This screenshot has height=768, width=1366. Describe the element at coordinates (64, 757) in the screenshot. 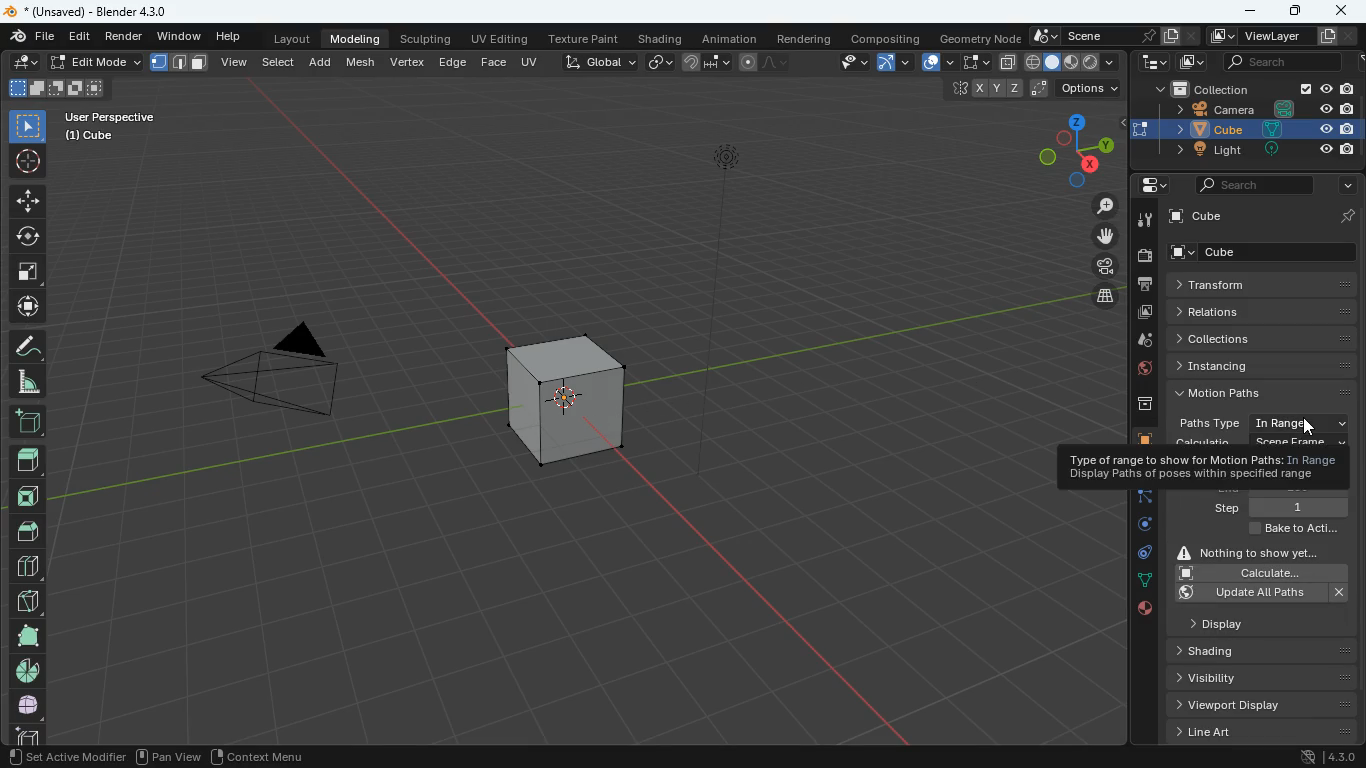

I see `set active modifier` at that location.